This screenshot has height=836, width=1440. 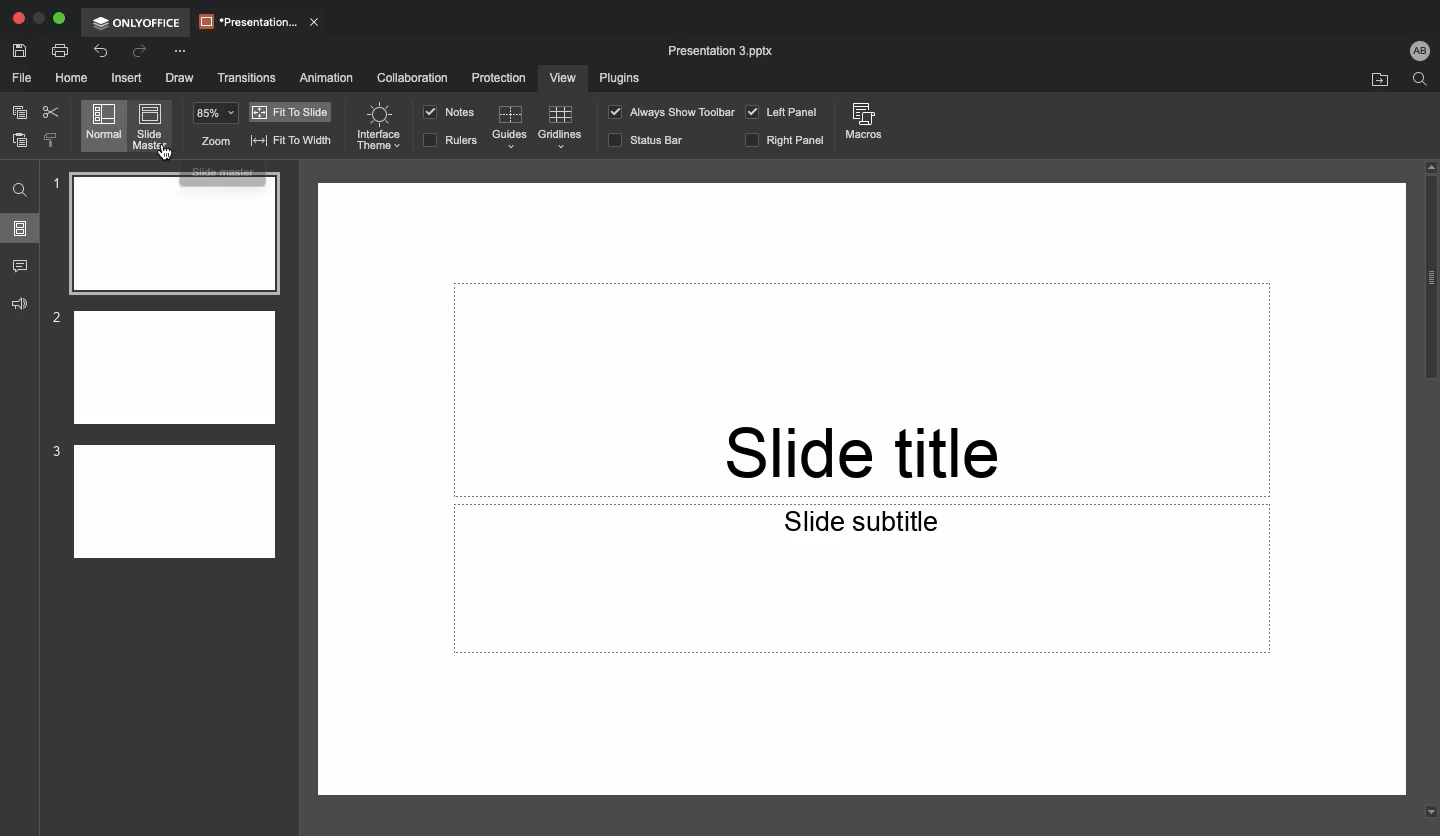 What do you see at coordinates (19, 50) in the screenshot?
I see `Save` at bounding box center [19, 50].